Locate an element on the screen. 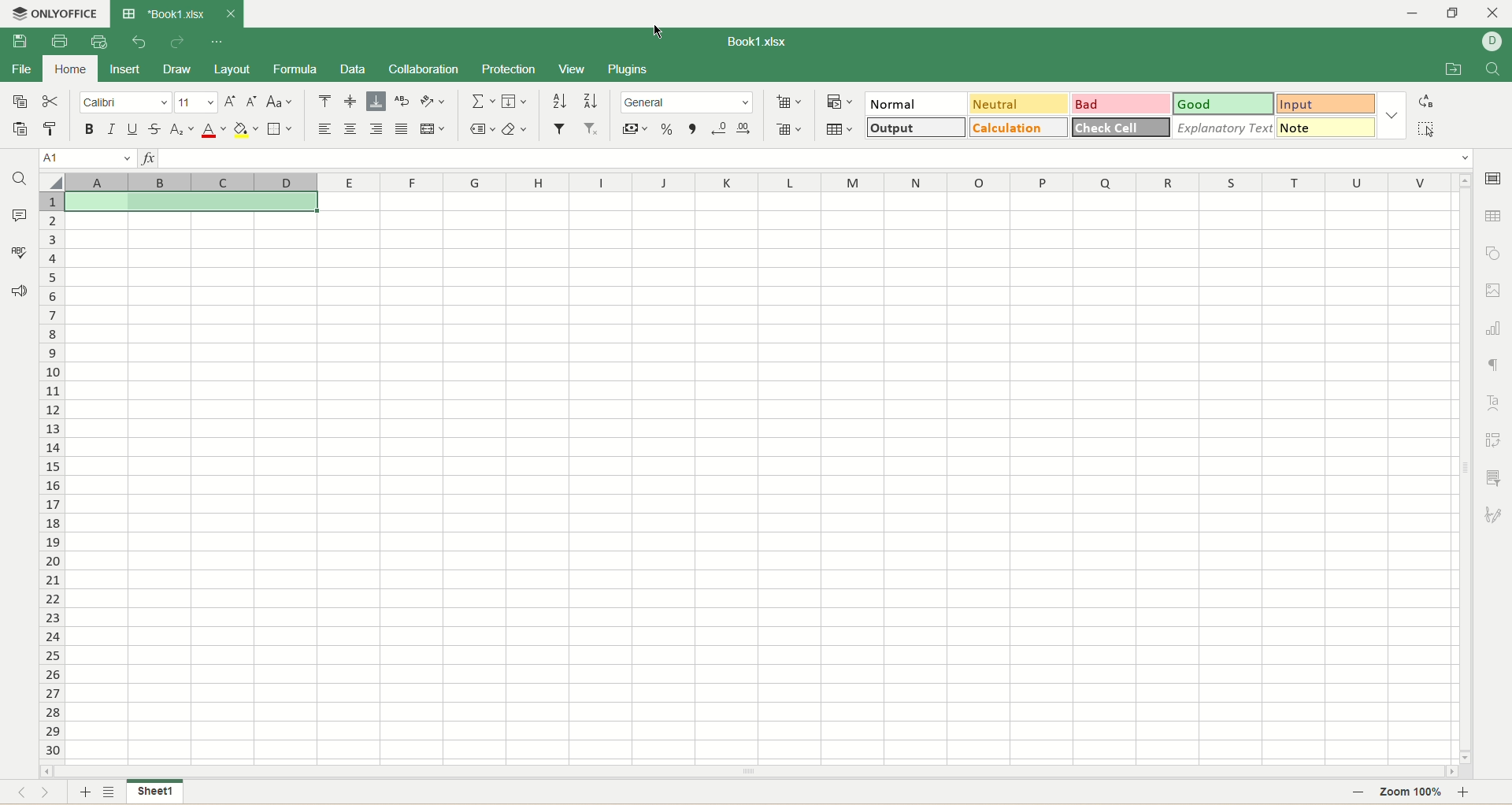  subscript is located at coordinates (183, 129).